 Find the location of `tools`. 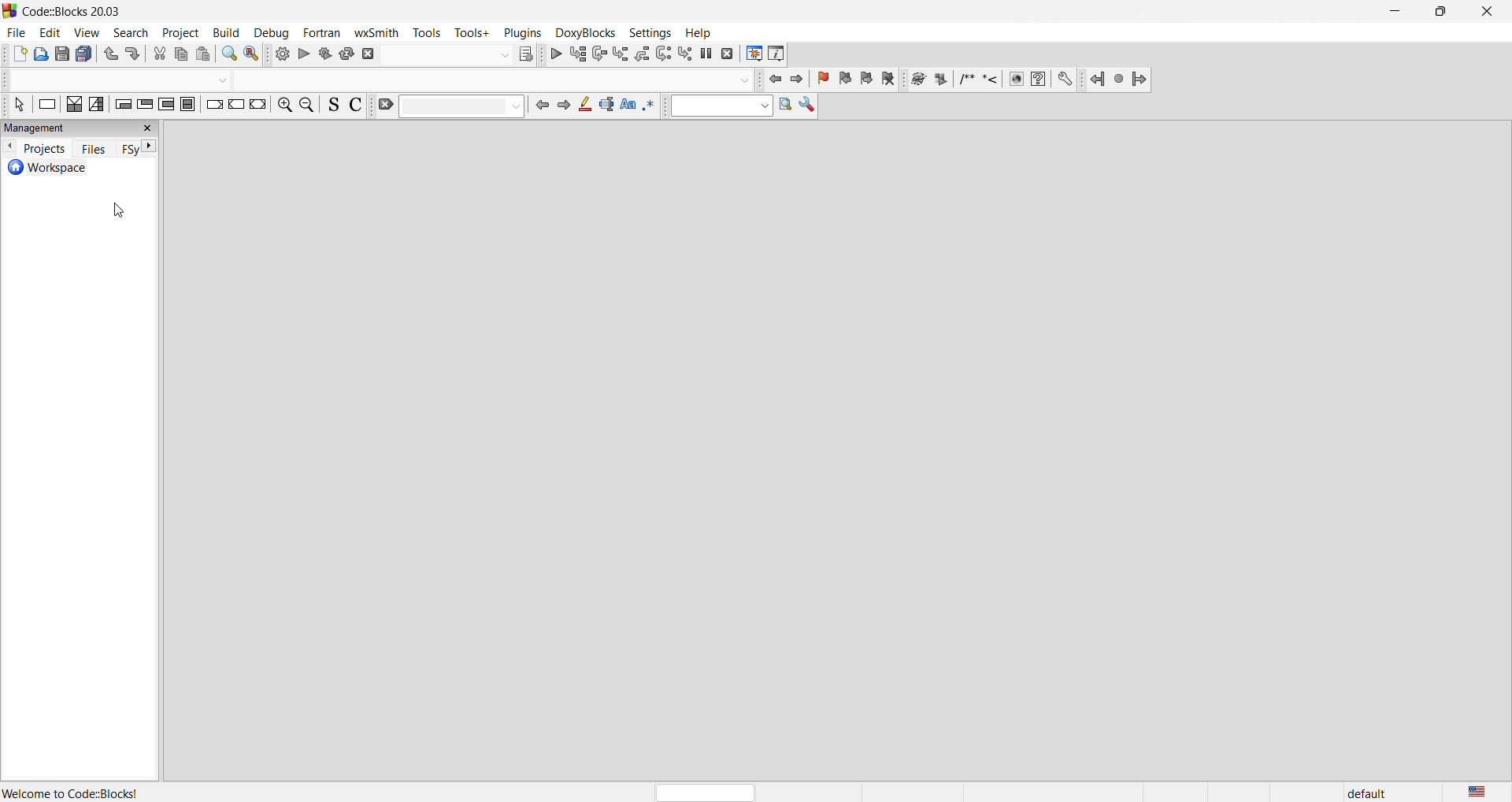

tools is located at coordinates (427, 32).